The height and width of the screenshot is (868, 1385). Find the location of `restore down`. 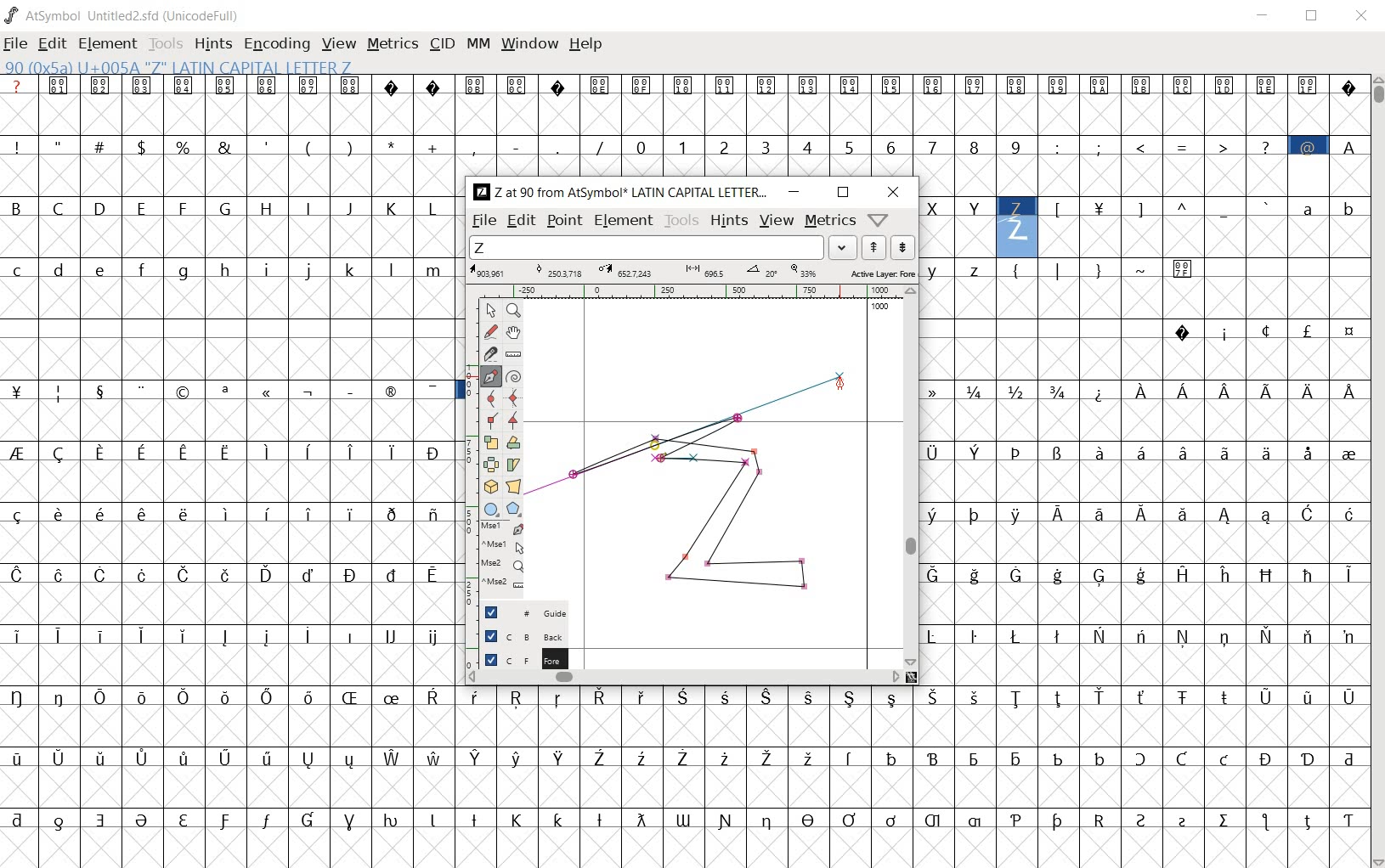

restore down is located at coordinates (1314, 18).